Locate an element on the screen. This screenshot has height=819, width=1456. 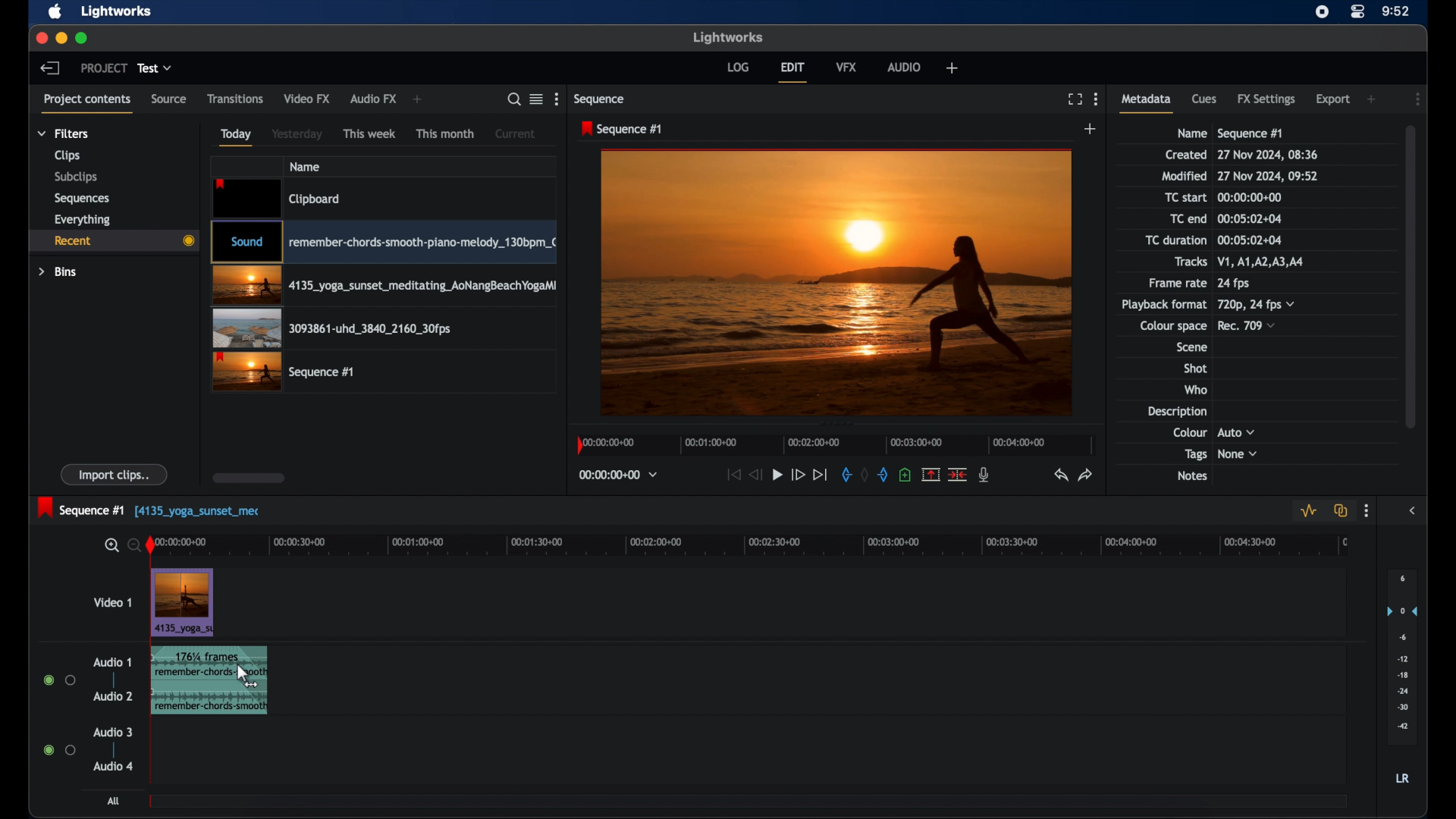
notes is located at coordinates (1191, 476).